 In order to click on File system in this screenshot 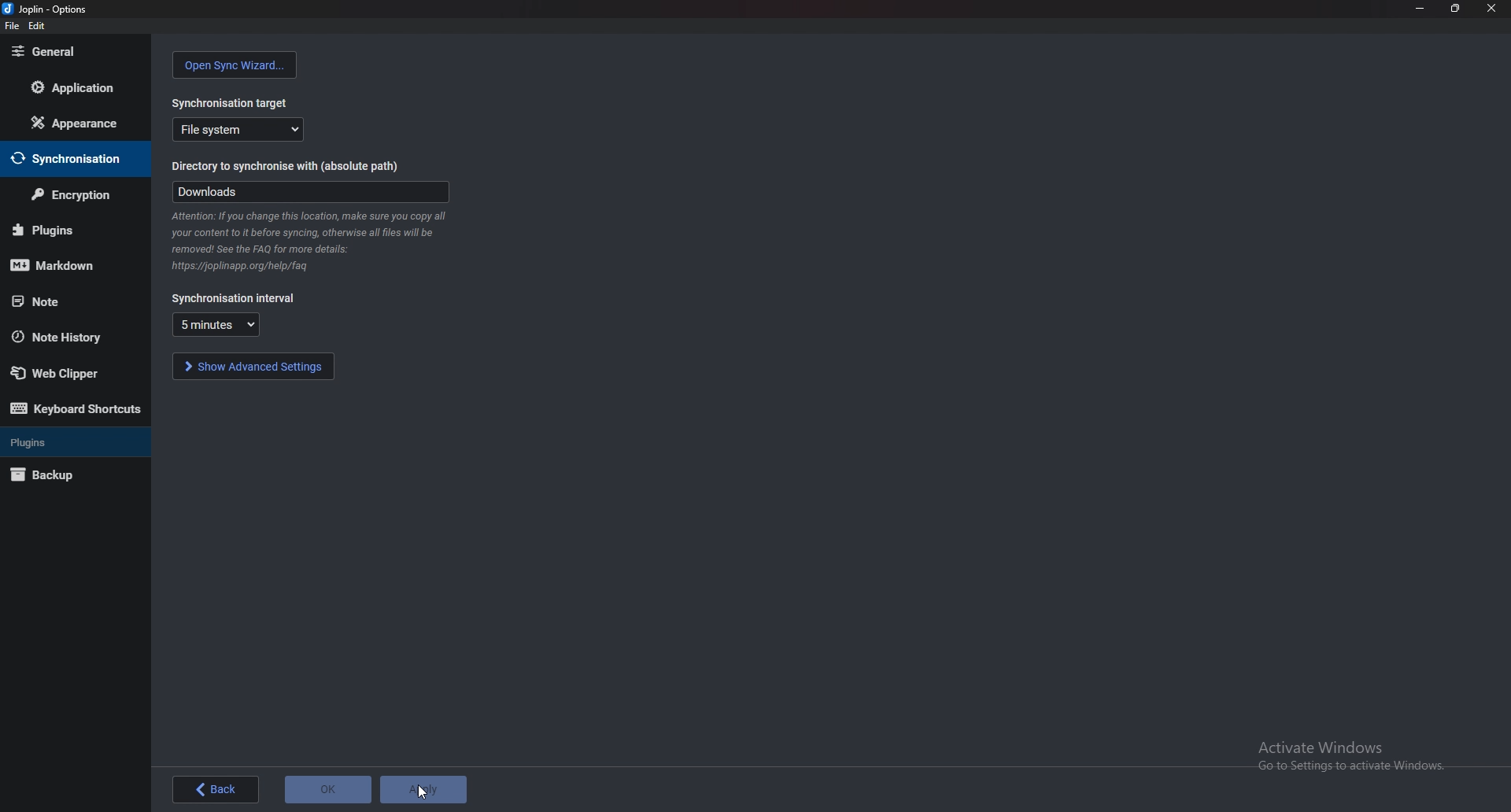, I will do `click(239, 129)`.